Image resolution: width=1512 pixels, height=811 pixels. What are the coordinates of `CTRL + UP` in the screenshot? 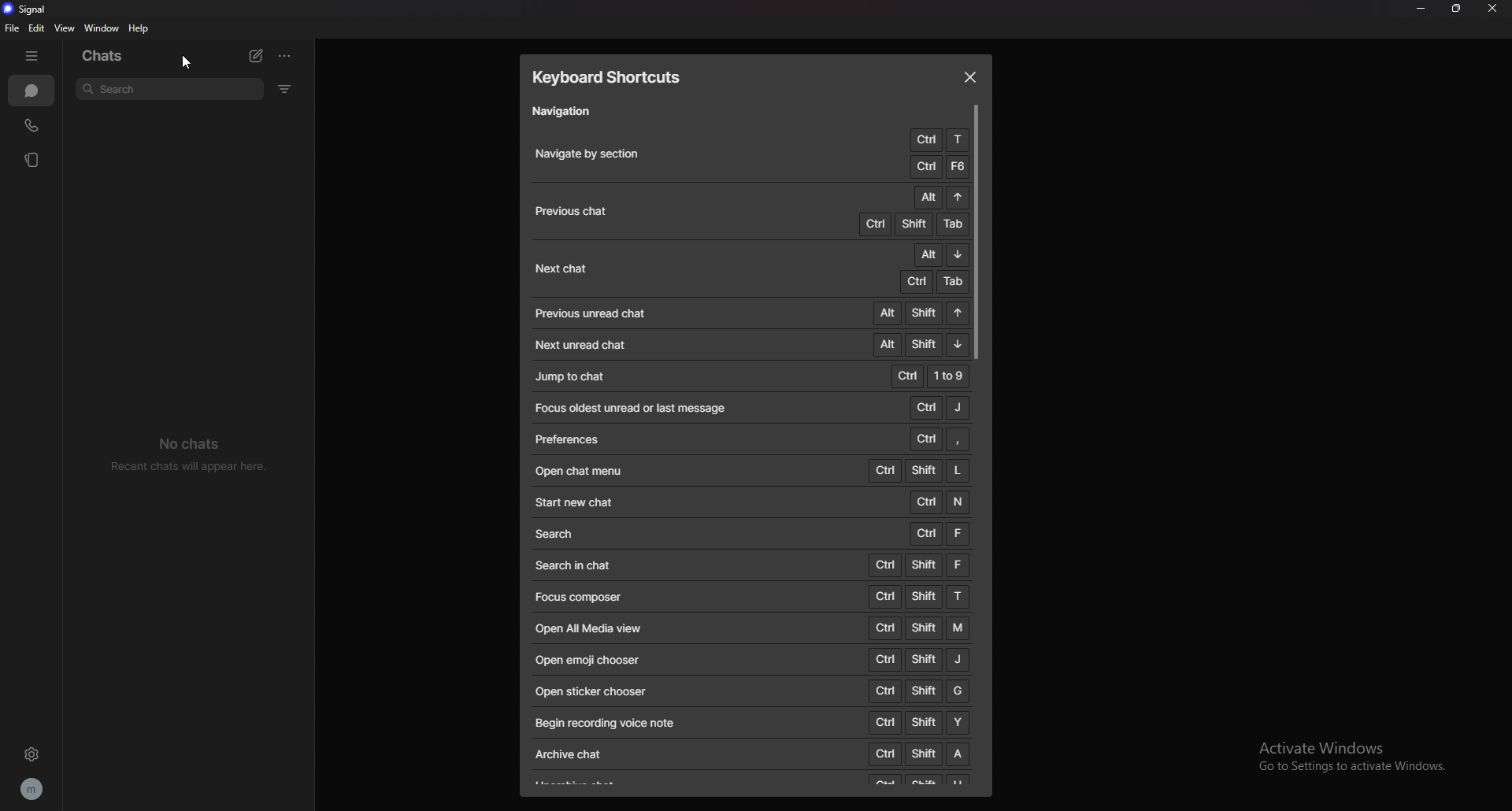 It's located at (939, 139).